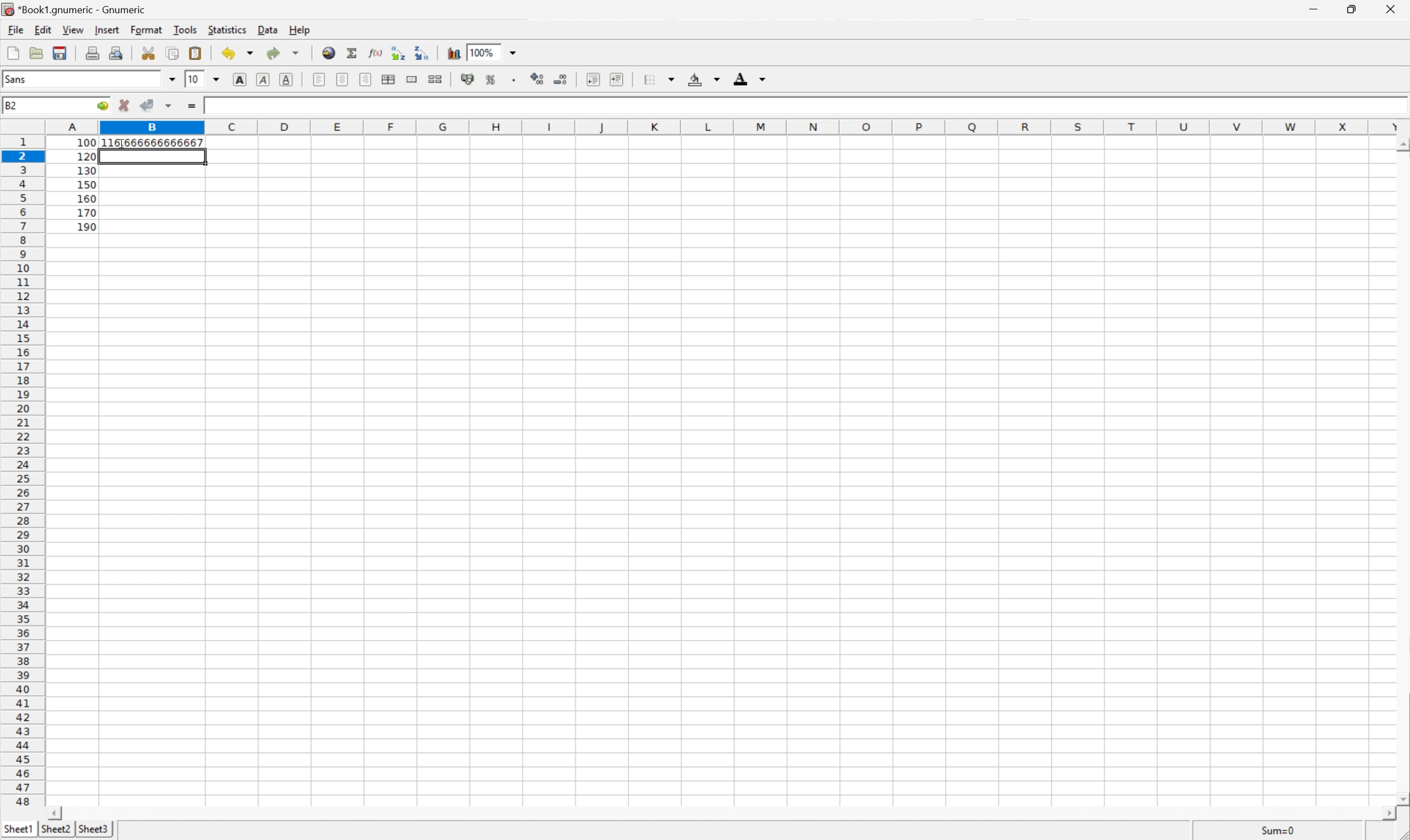  Describe the element at coordinates (280, 53) in the screenshot. I see `Redo` at that location.